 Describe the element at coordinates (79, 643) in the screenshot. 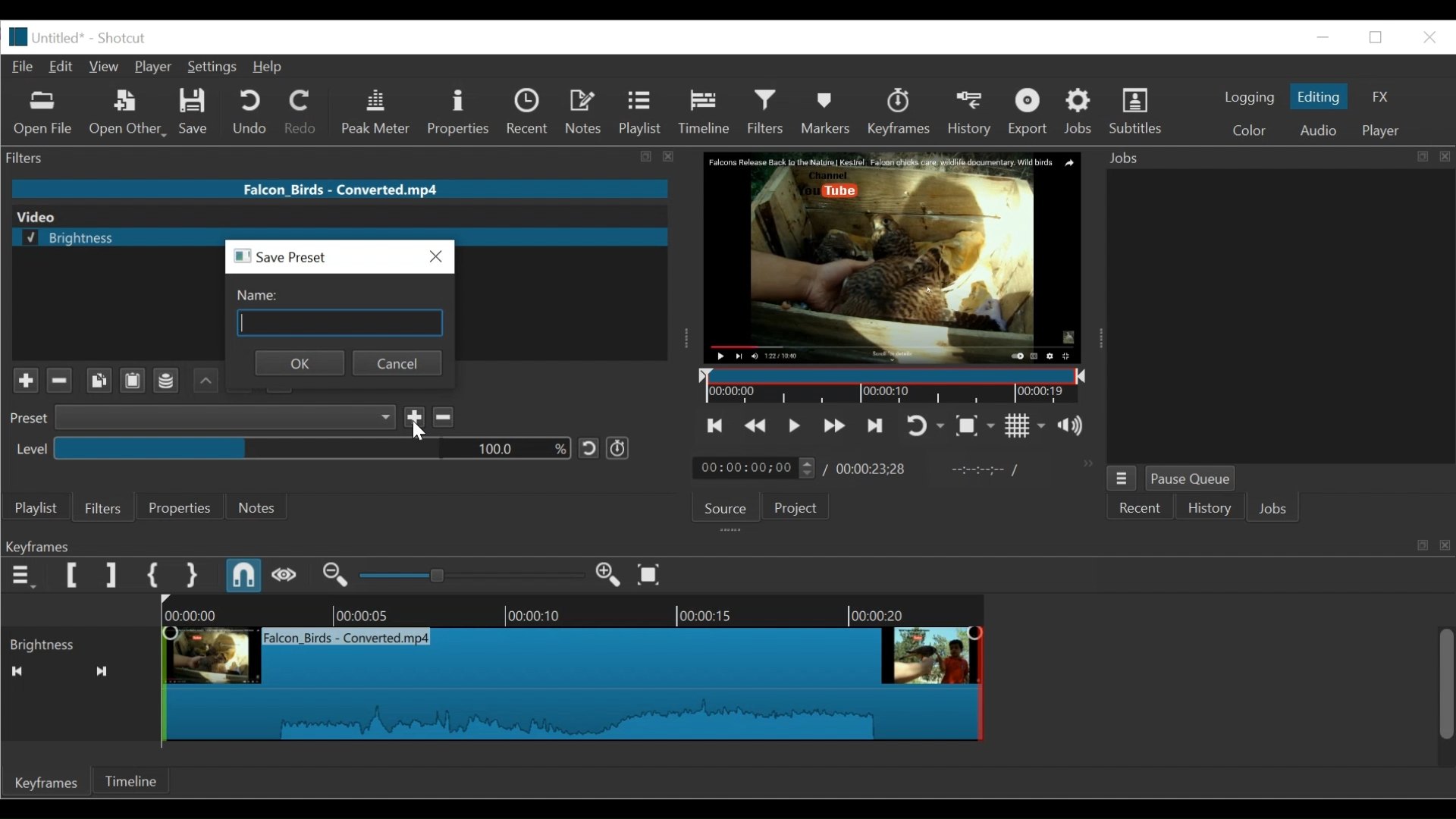

I see `Brightness` at that location.